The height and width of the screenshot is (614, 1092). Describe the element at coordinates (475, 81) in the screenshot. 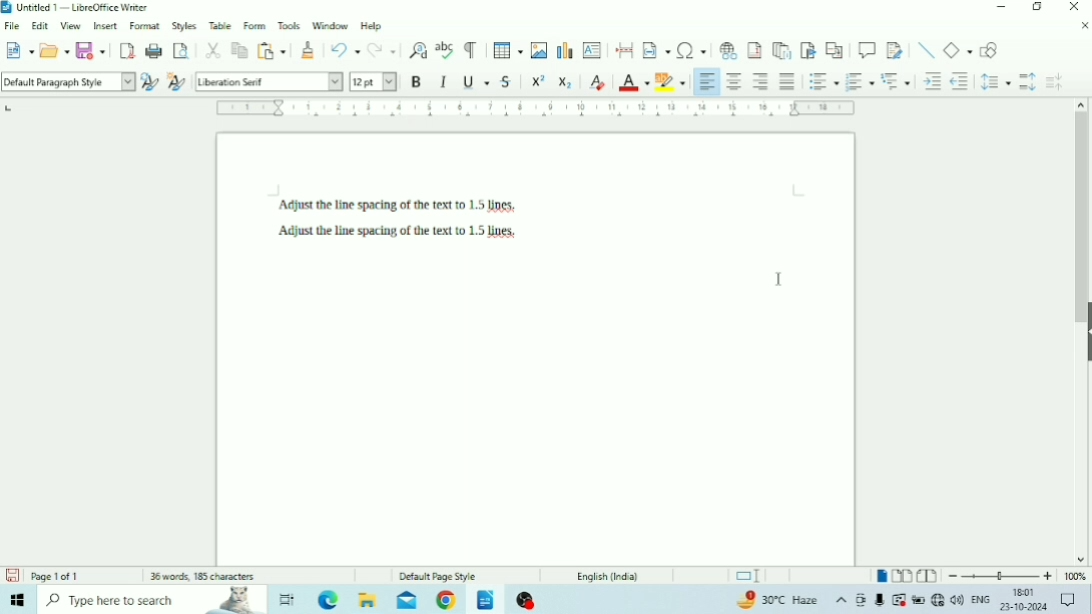

I see `Underline` at that location.